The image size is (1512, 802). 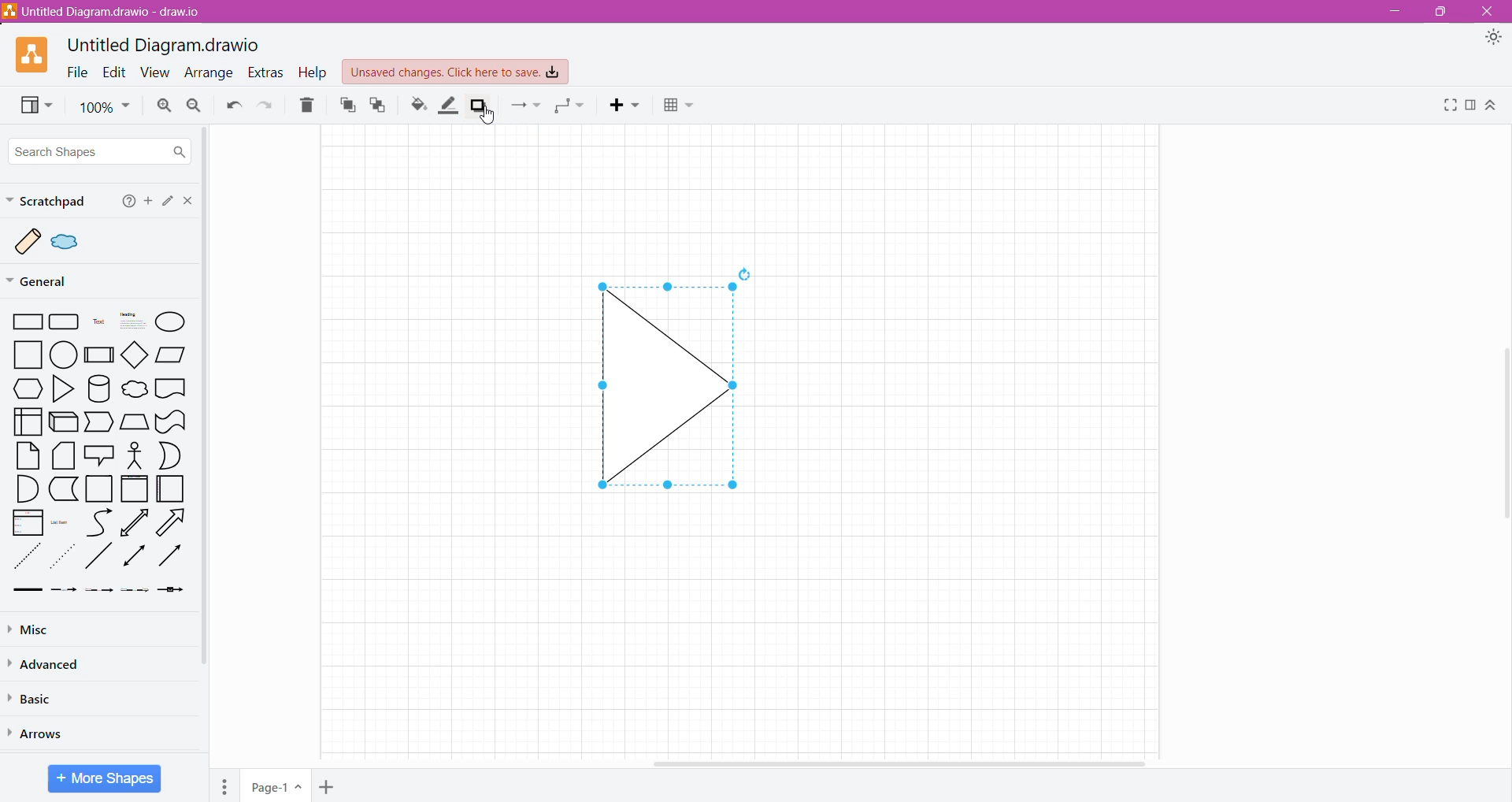 What do you see at coordinates (904, 761) in the screenshot?
I see `Horizontal Scroll Bar` at bounding box center [904, 761].